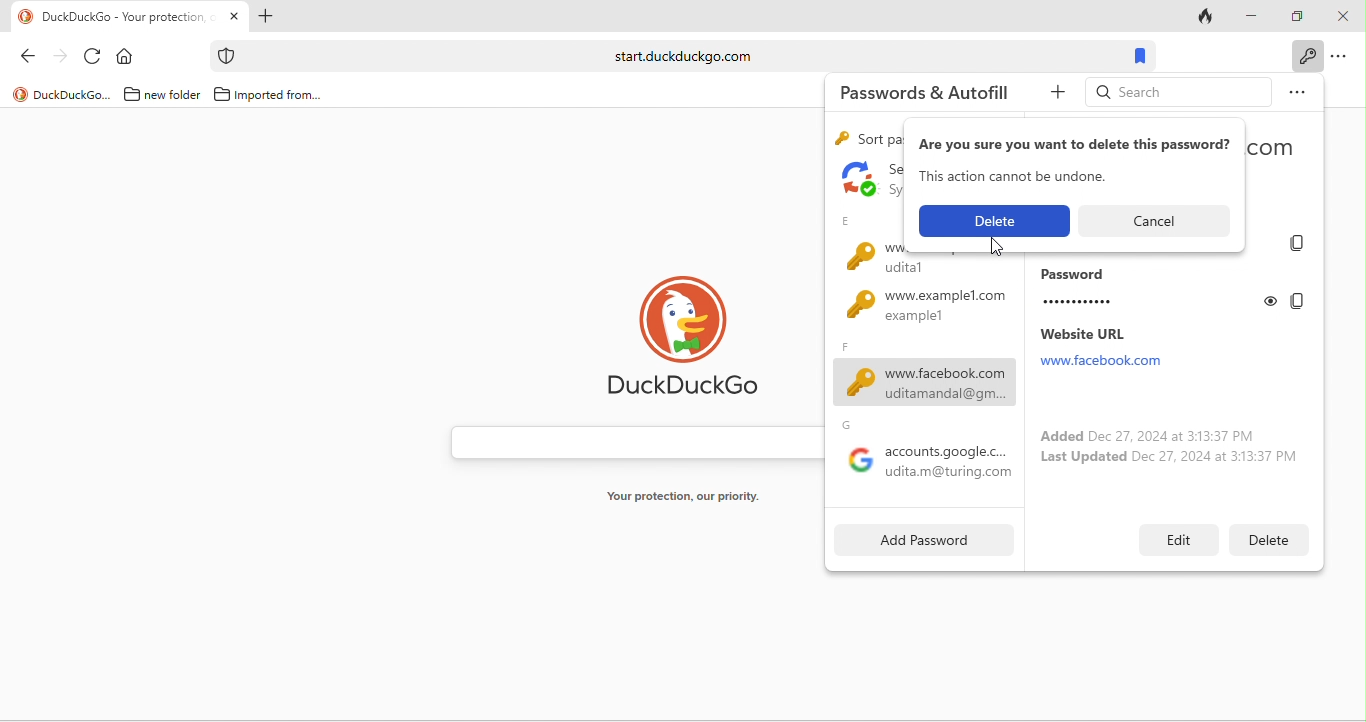  What do you see at coordinates (1272, 300) in the screenshot?
I see `show password` at bounding box center [1272, 300].